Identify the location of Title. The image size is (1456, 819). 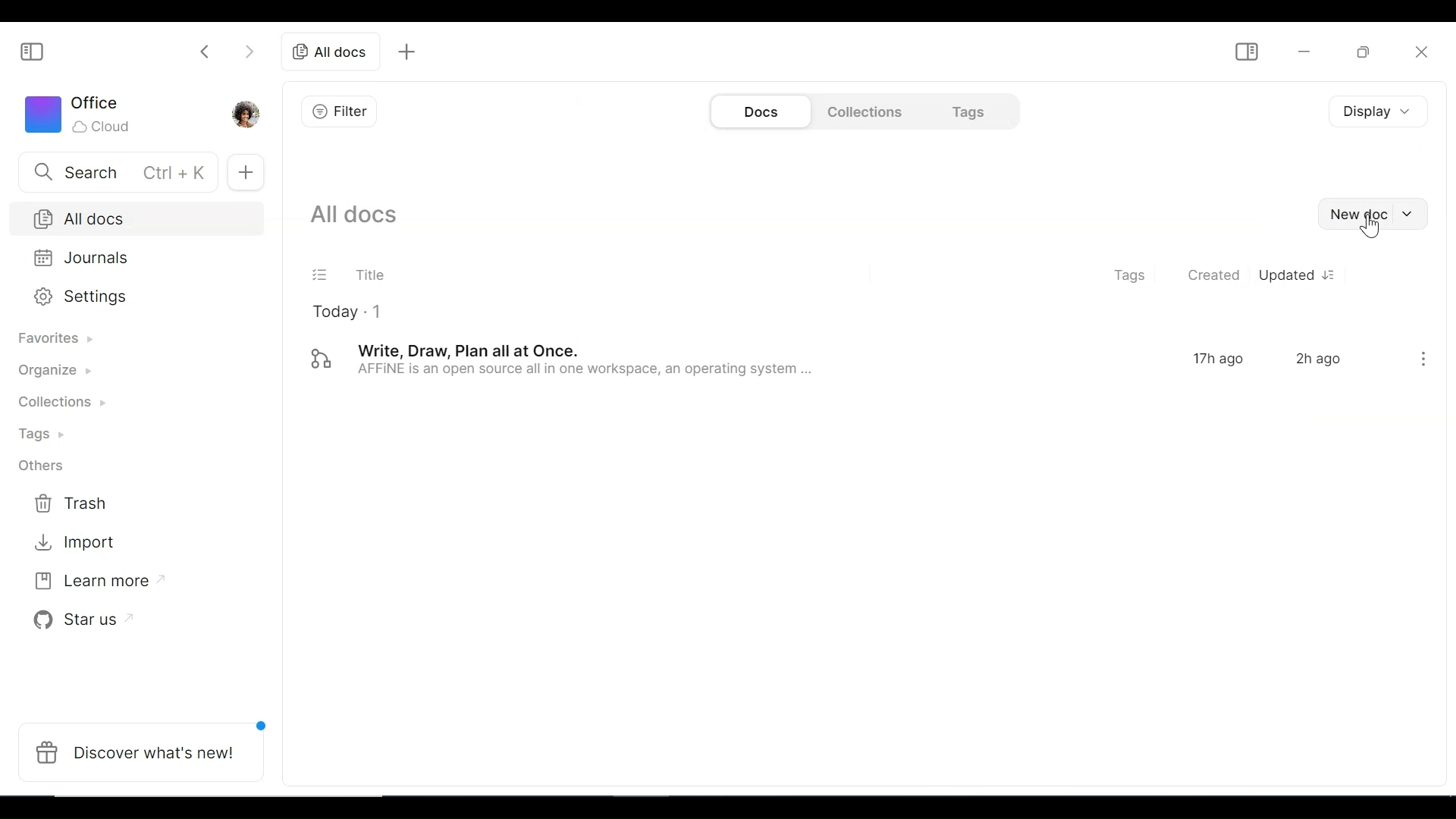
(376, 274).